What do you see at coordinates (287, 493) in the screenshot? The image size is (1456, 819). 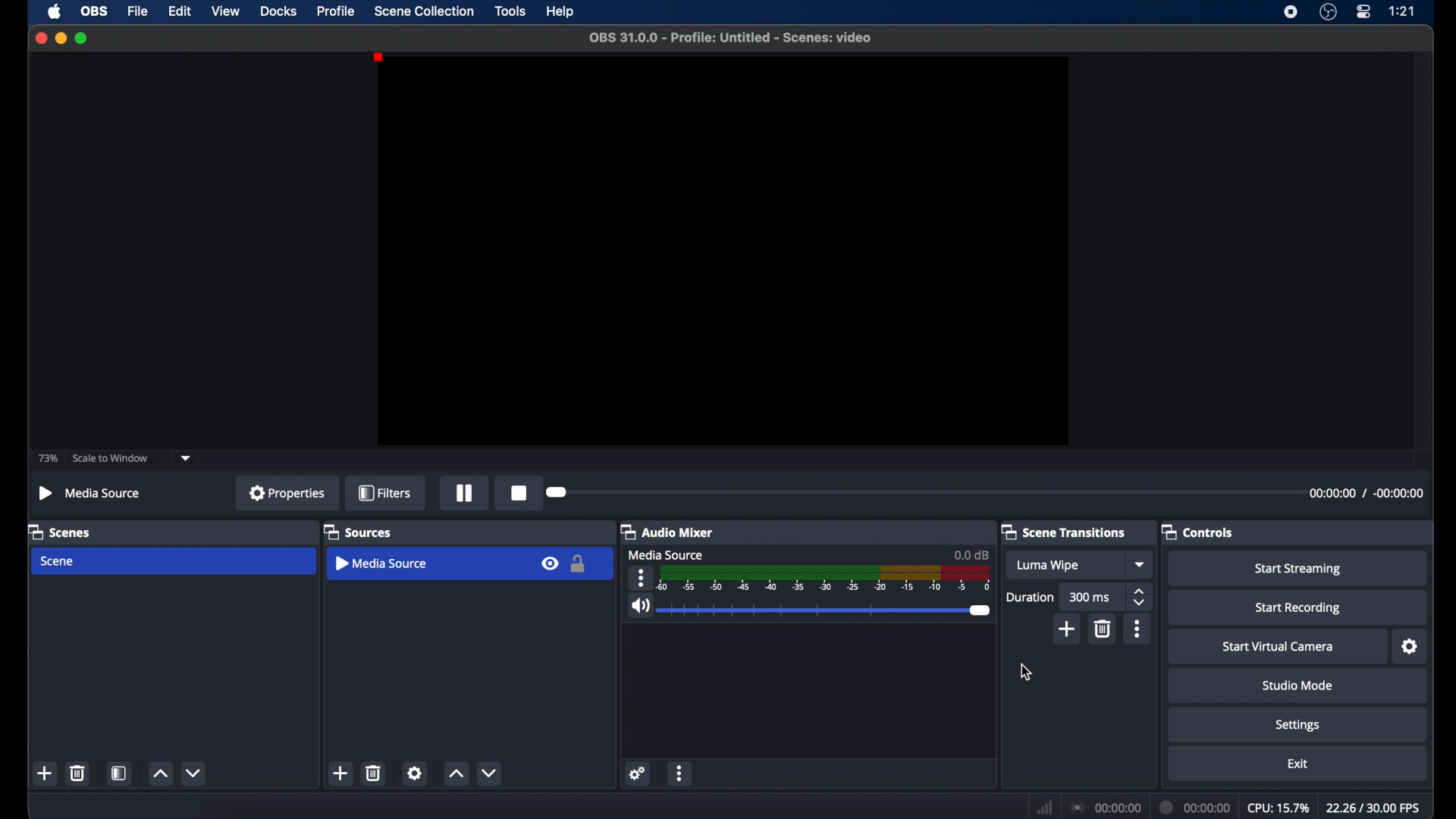 I see `properties` at bounding box center [287, 493].